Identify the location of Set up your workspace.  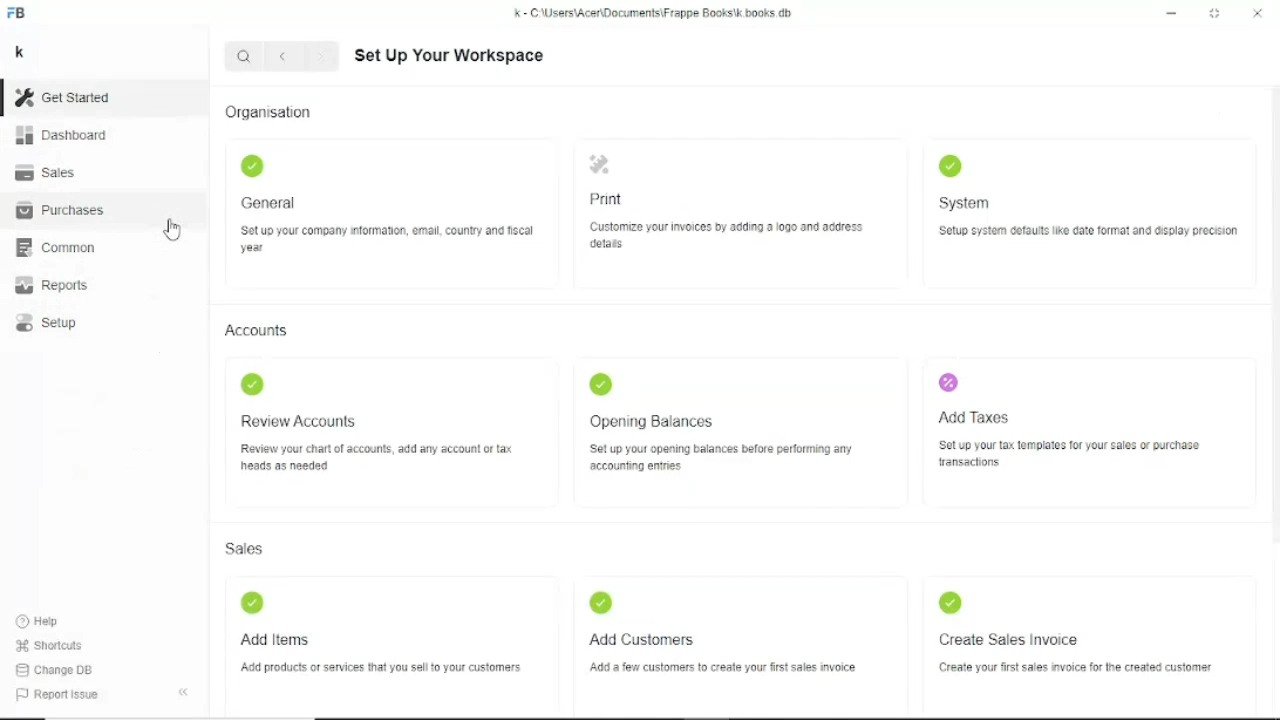
(449, 55).